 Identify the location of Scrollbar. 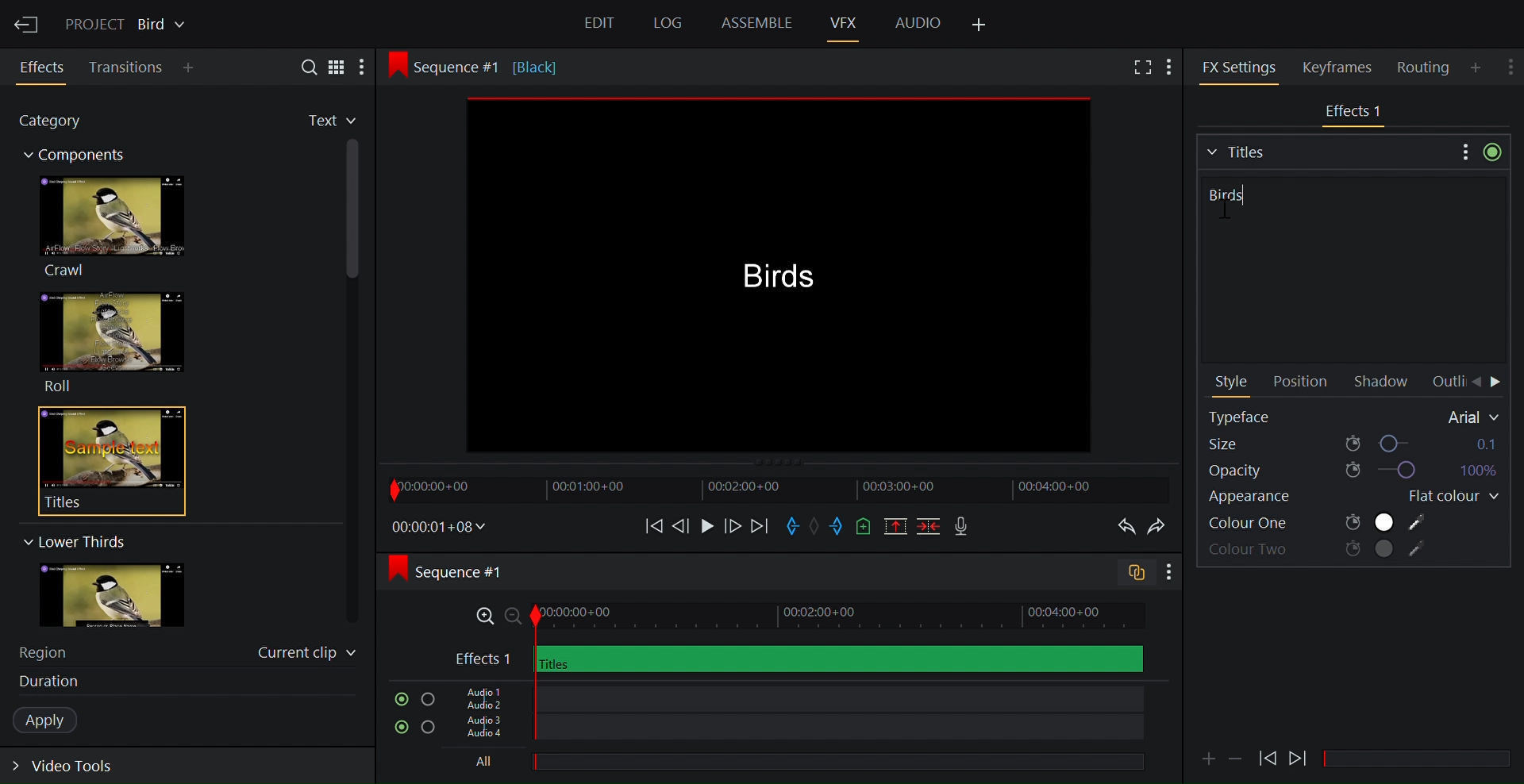
(1423, 759).